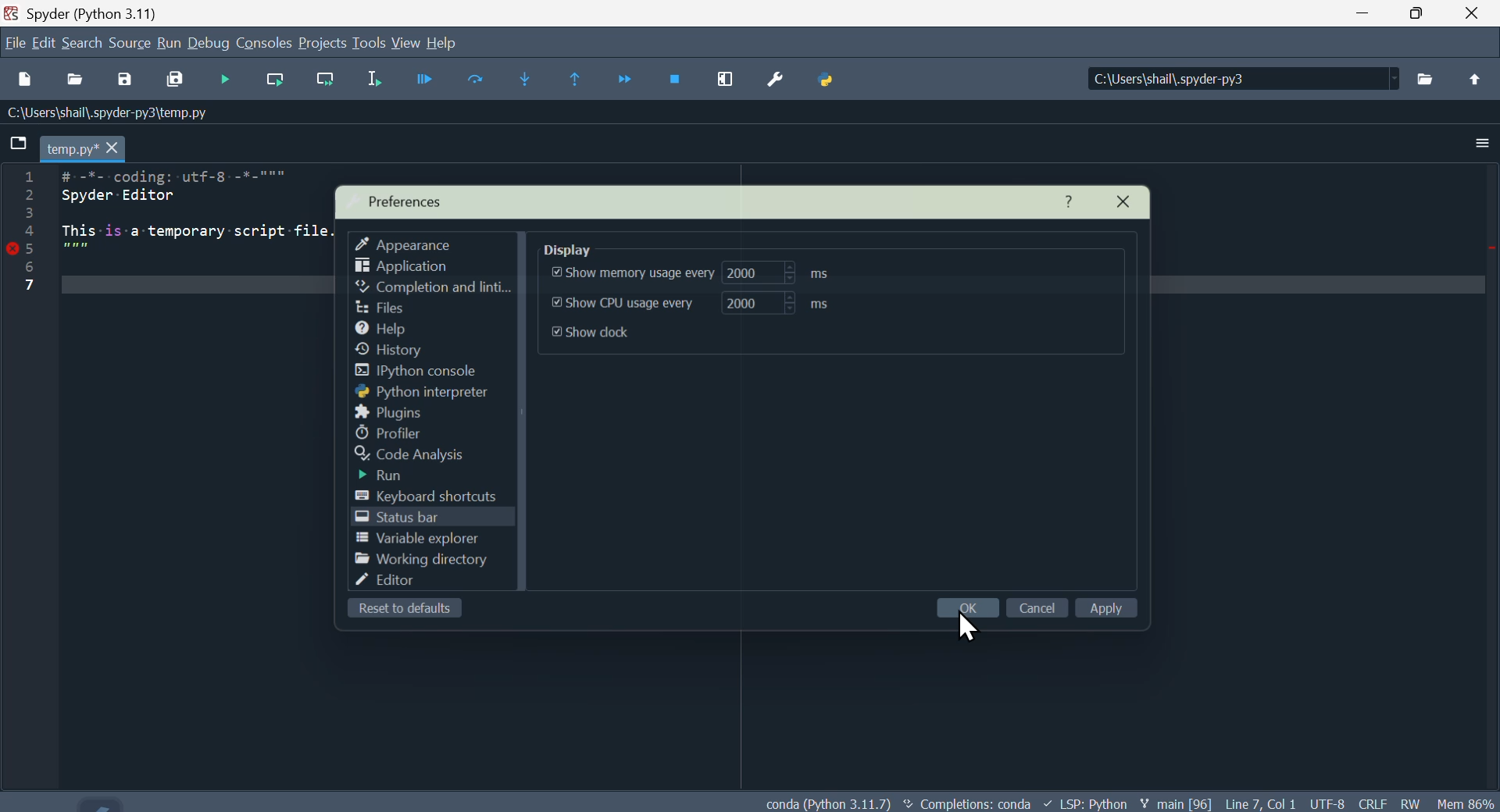 The width and height of the screenshot is (1500, 812). I want to click on New file, so click(31, 79).